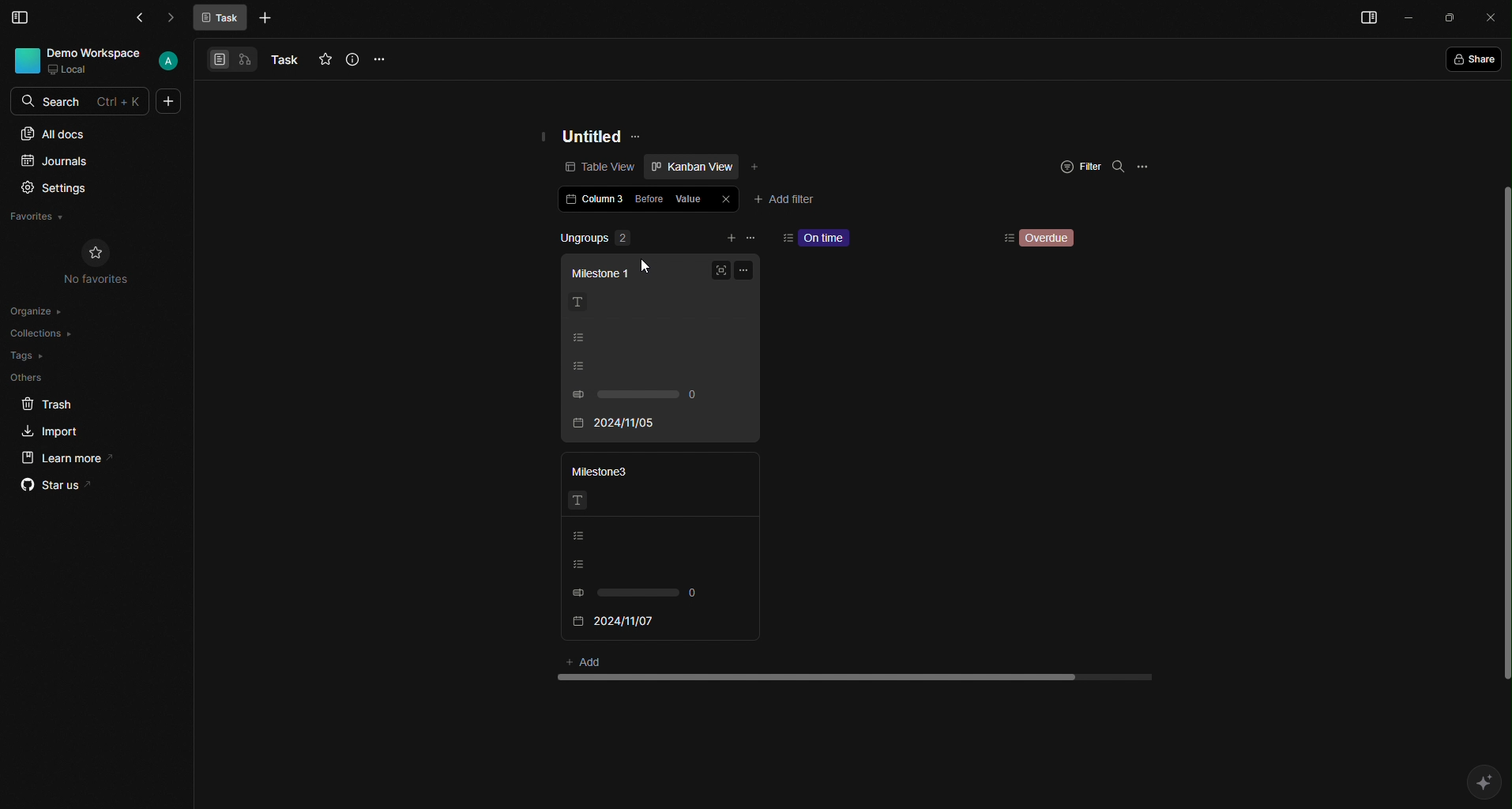  Describe the element at coordinates (748, 237) in the screenshot. I see `remove` at that location.